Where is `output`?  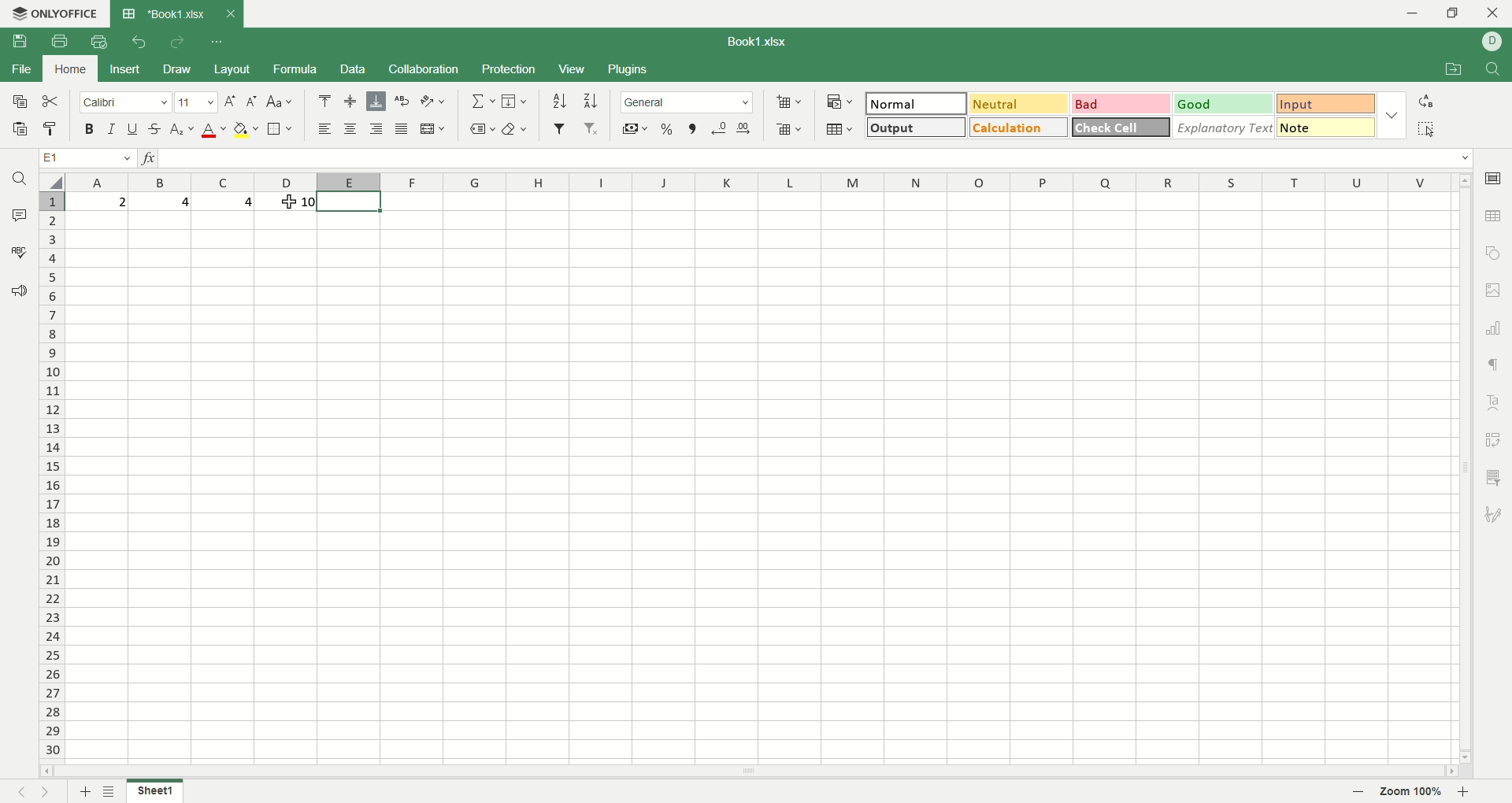
output is located at coordinates (915, 128).